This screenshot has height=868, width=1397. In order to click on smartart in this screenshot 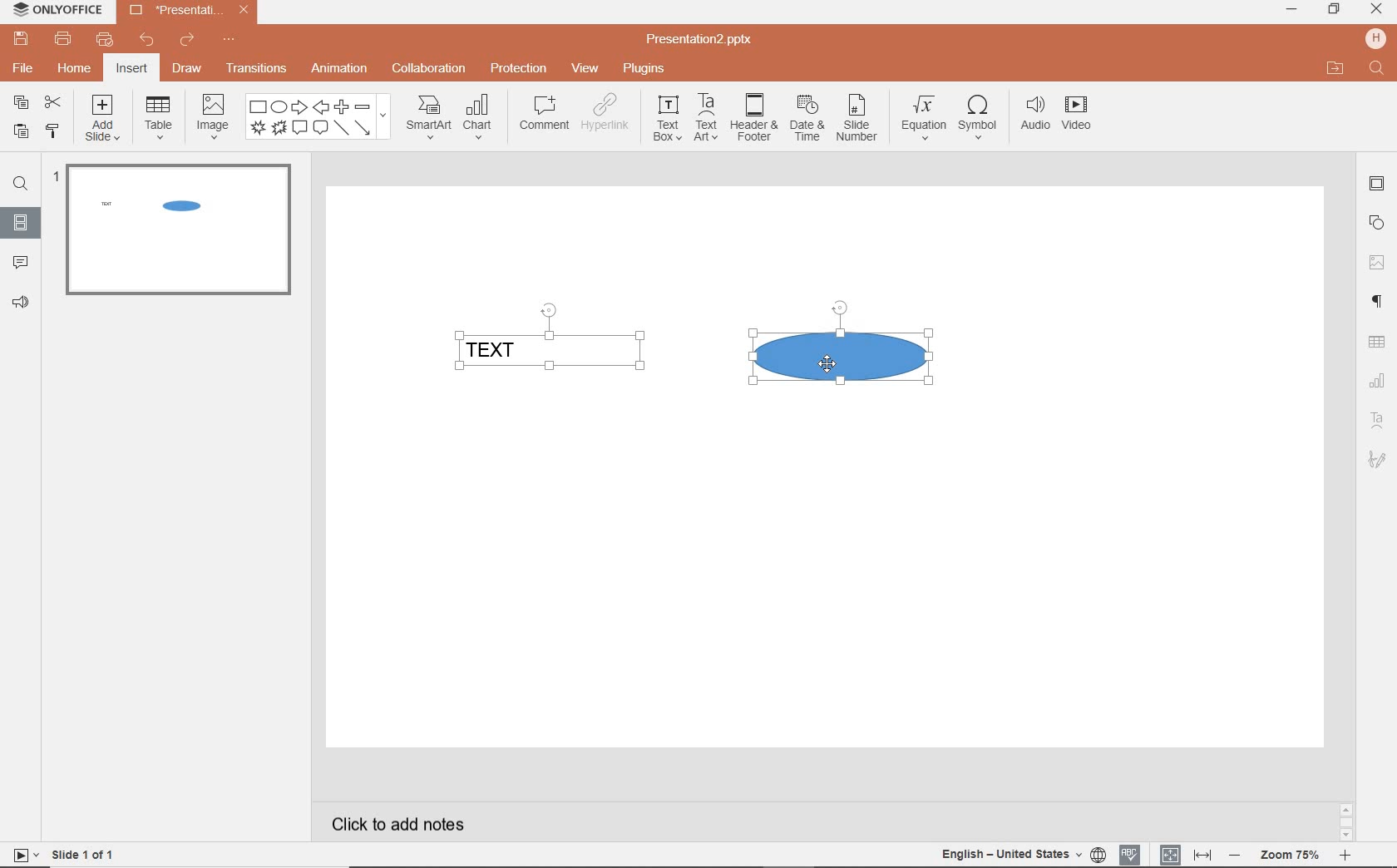, I will do `click(428, 116)`.